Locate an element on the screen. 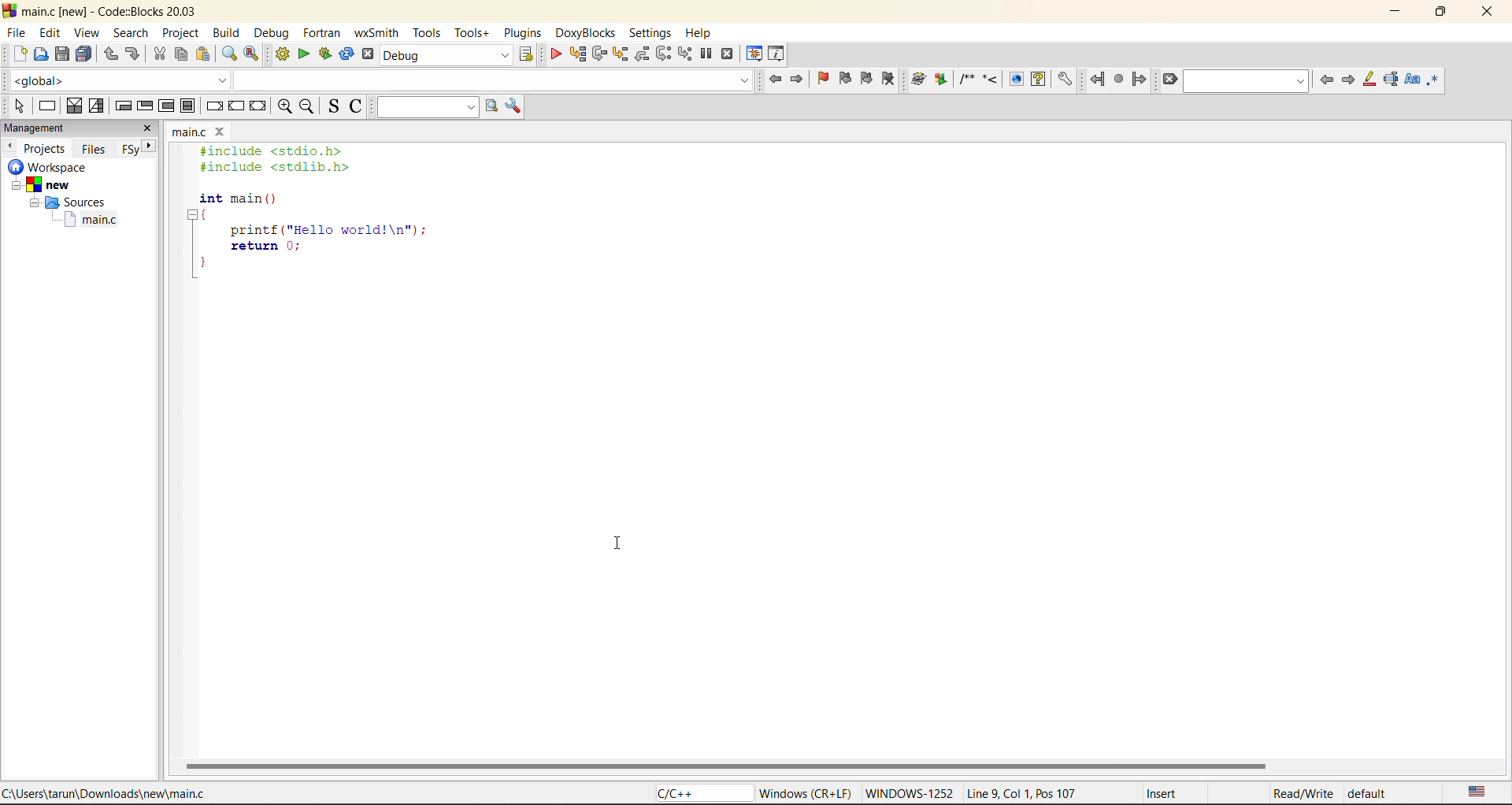  projects is located at coordinates (46, 148).